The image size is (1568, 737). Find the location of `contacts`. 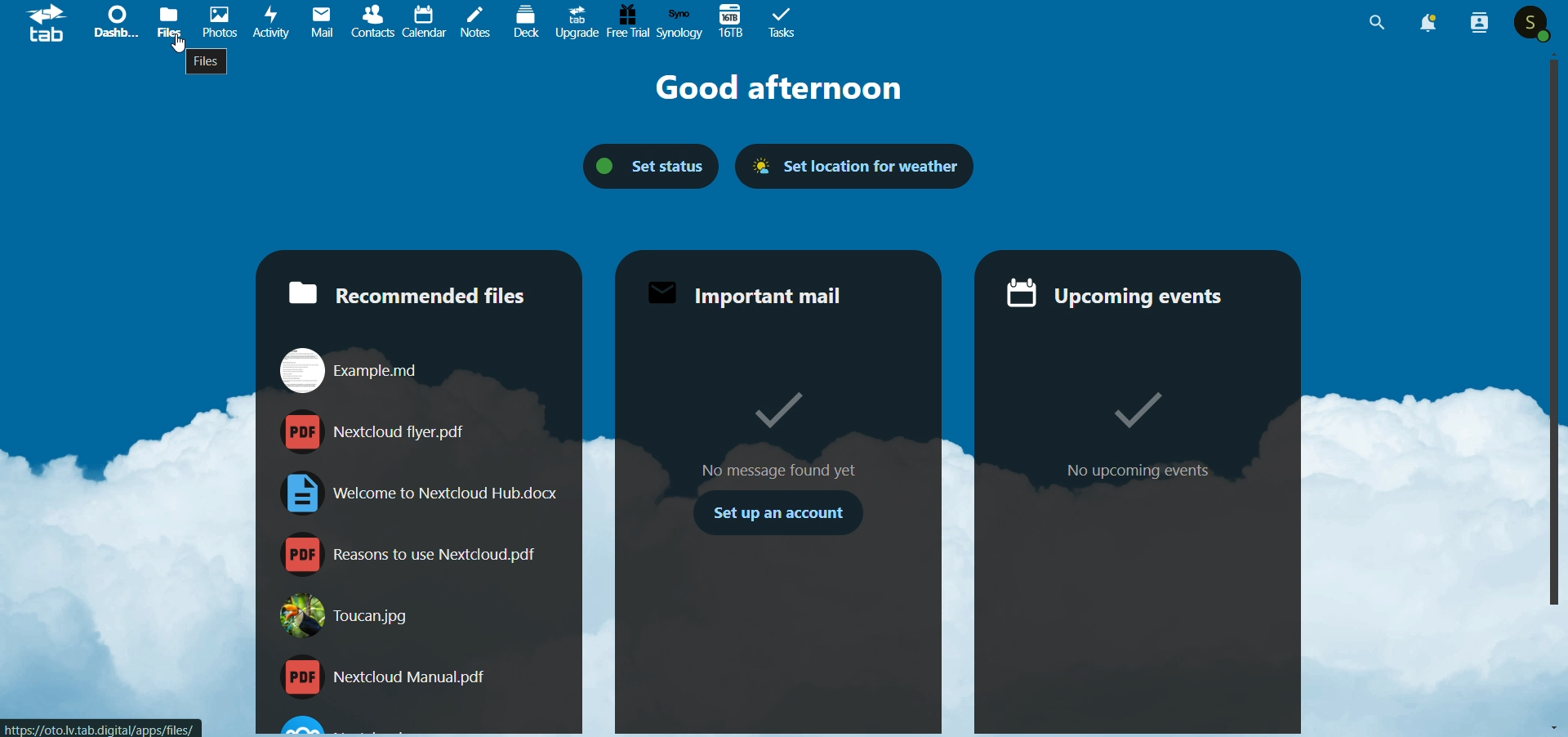

contacts is located at coordinates (367, 25).